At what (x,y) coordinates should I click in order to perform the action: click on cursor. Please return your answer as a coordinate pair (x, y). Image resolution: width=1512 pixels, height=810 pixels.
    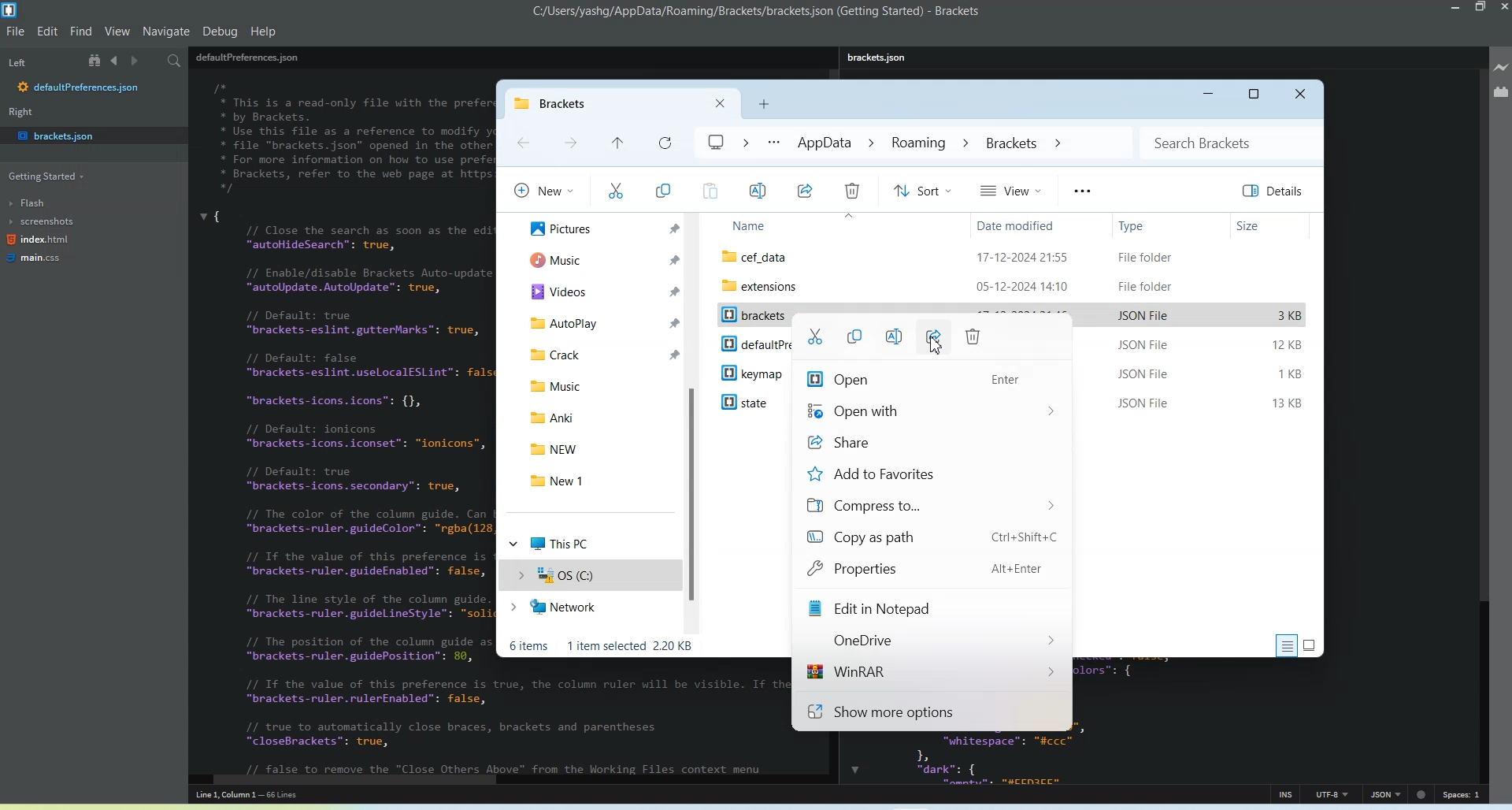
    Looking at the image, I should click on (936, 348).